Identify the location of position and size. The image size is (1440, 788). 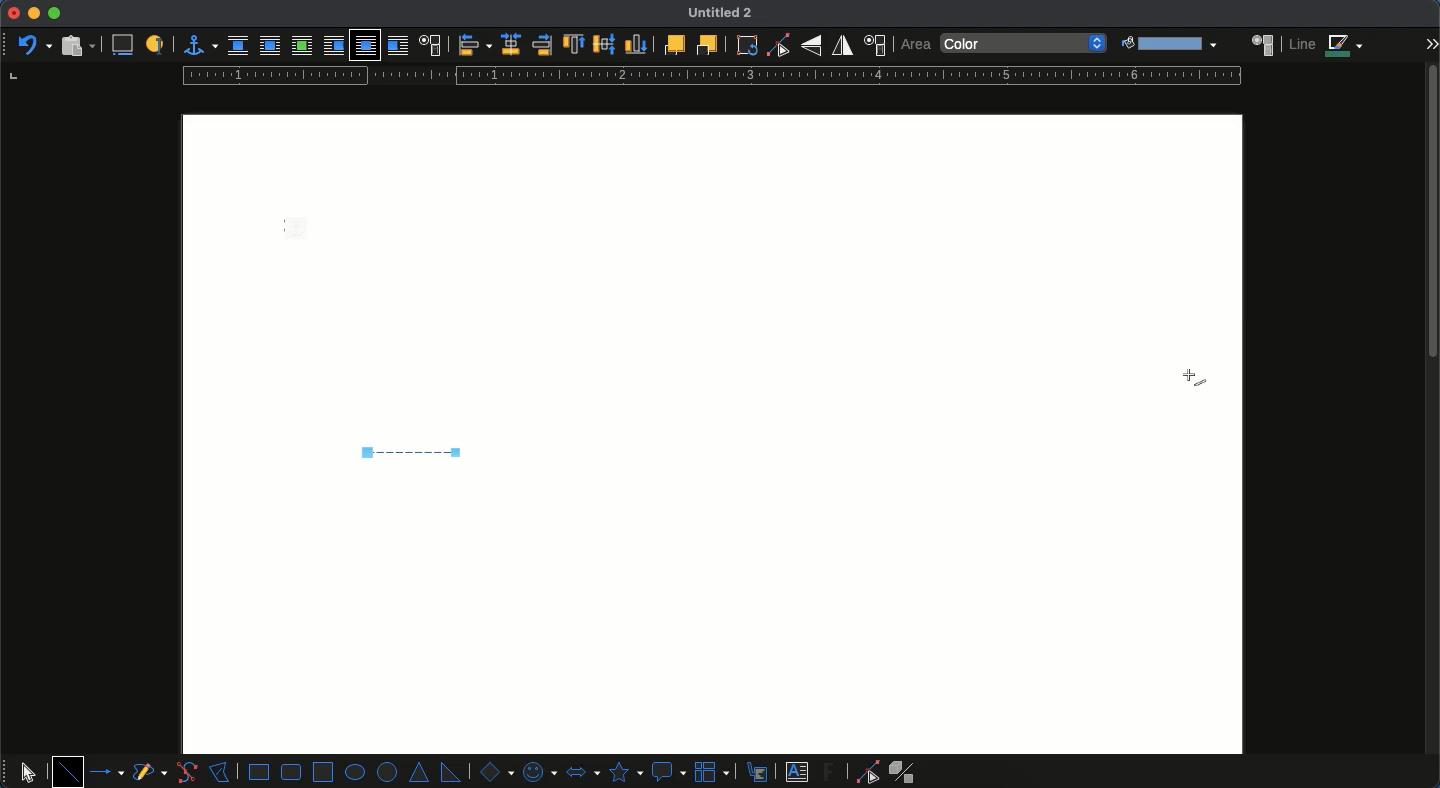
(874, 45).